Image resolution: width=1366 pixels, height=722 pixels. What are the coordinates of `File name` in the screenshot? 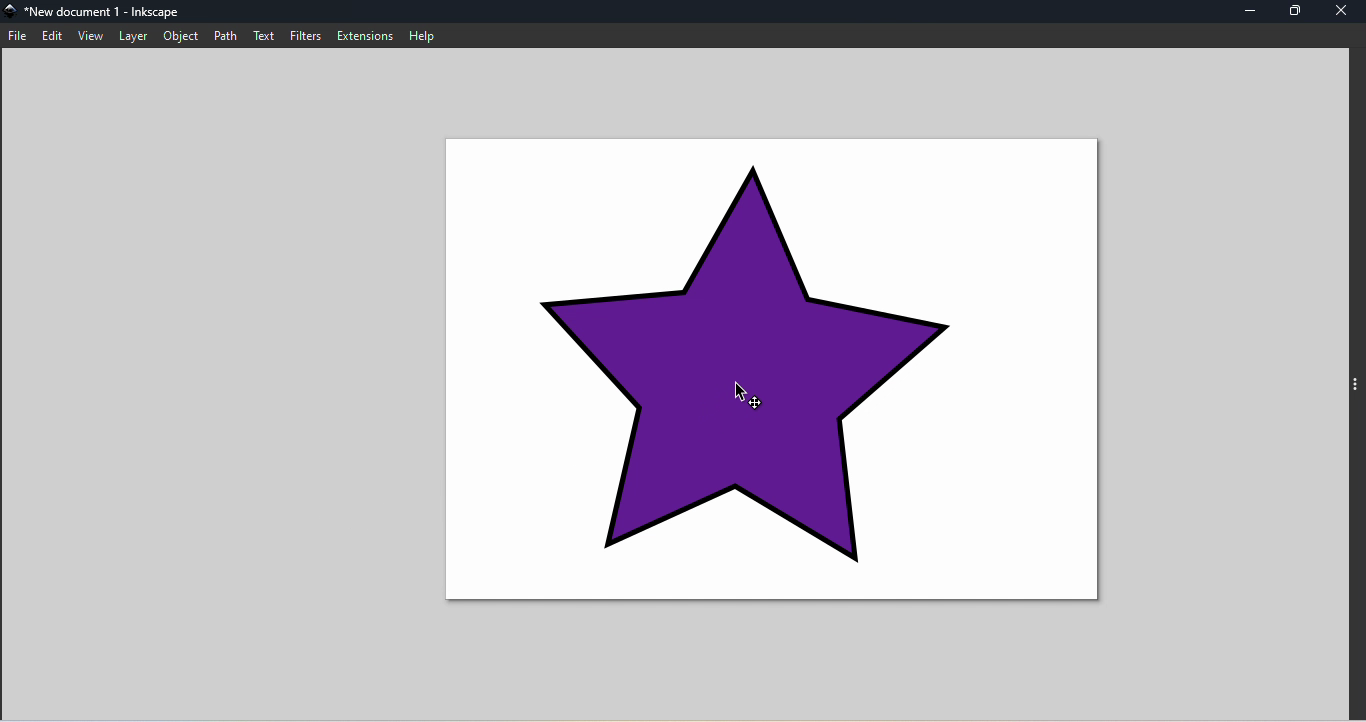 It's located at (102, 11).